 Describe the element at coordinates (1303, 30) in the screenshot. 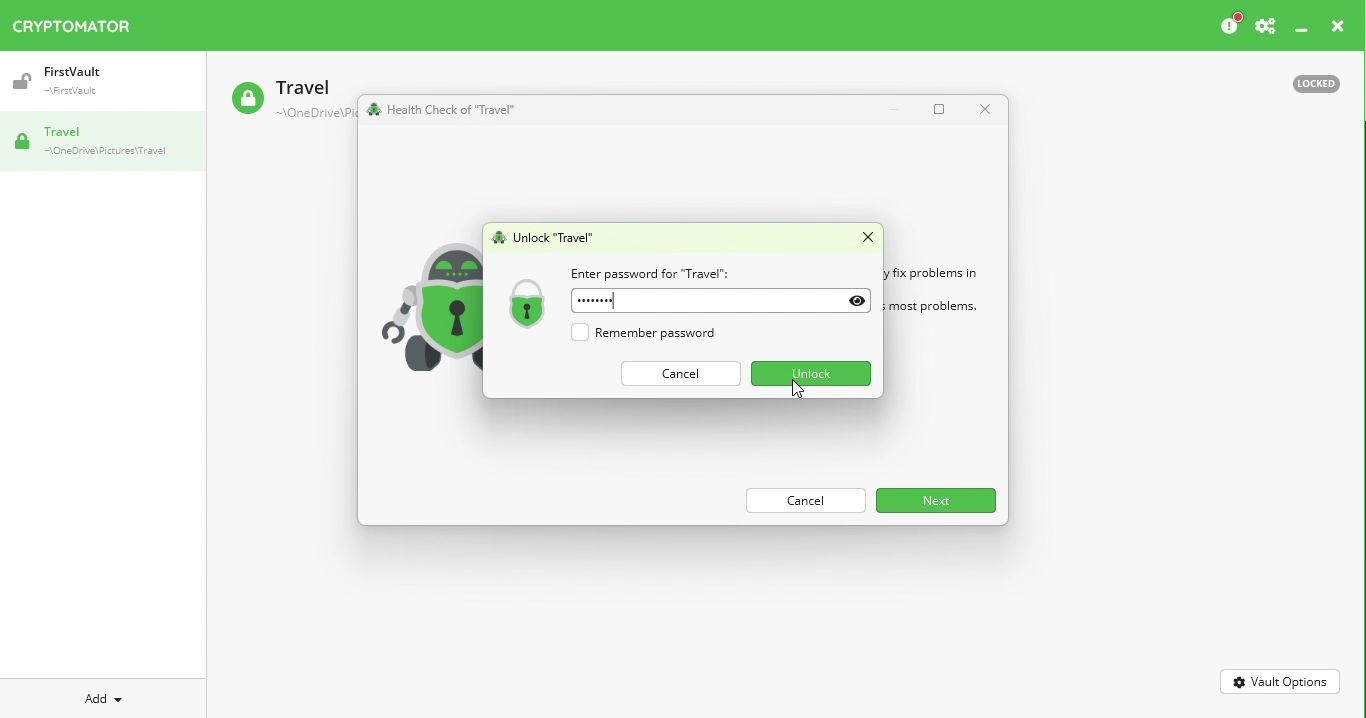

I see `Minimize` at that location.